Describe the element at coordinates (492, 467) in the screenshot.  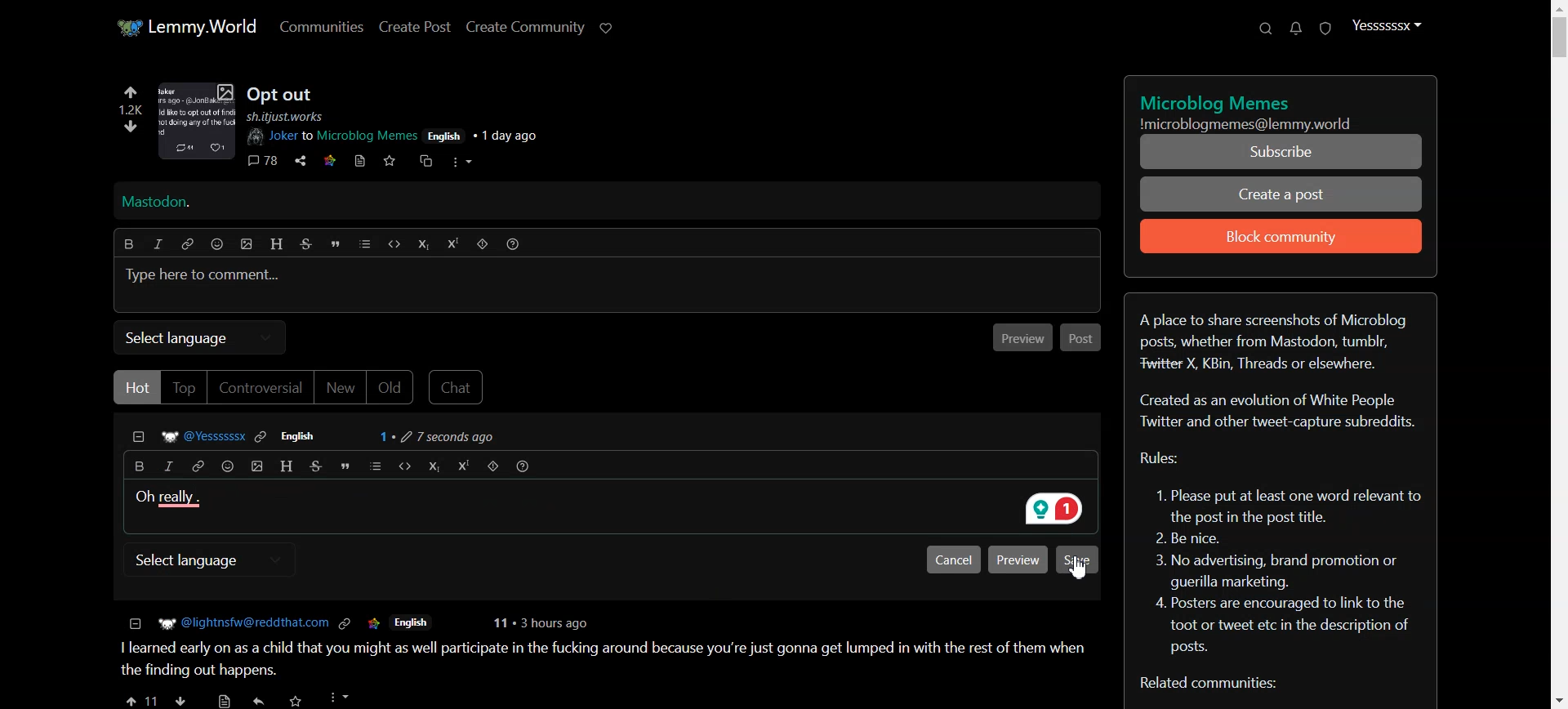
I see `Spoiler` at that location.